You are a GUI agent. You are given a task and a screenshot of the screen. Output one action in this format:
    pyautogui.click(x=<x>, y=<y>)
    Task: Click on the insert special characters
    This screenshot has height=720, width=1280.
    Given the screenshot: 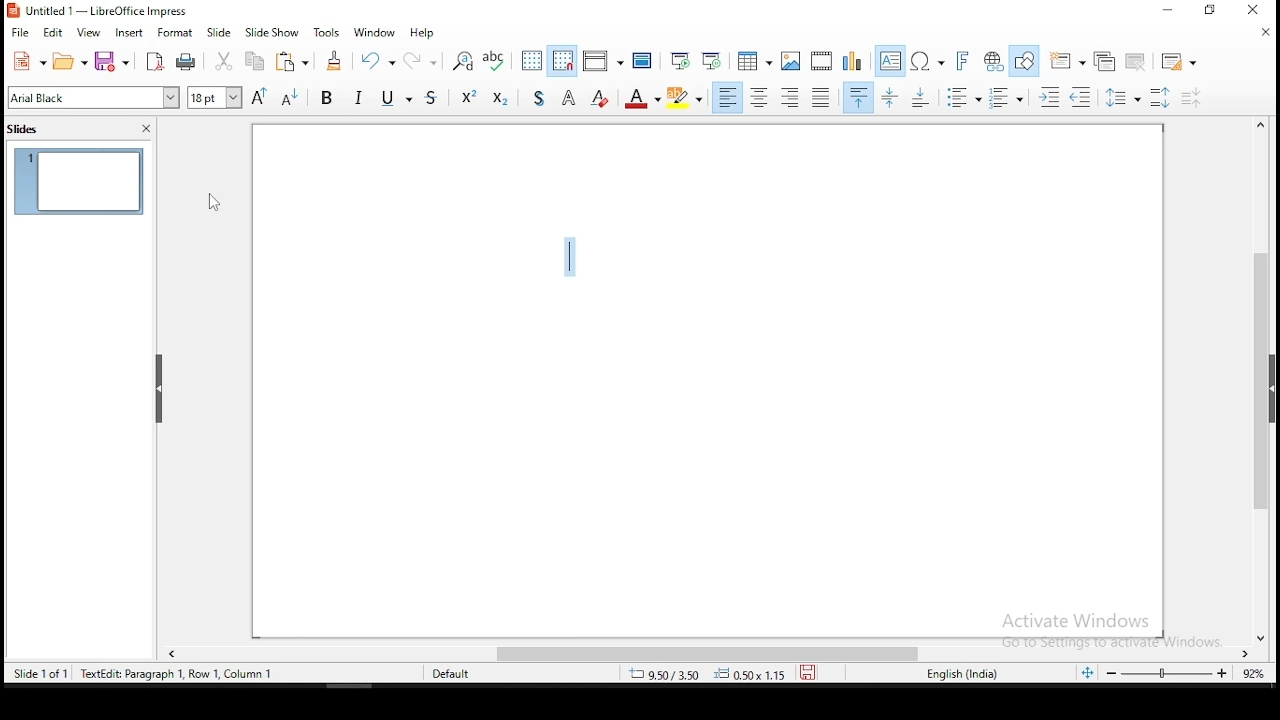 What is the action you would take?
    pyautogui.click(x=927, y=61)
    